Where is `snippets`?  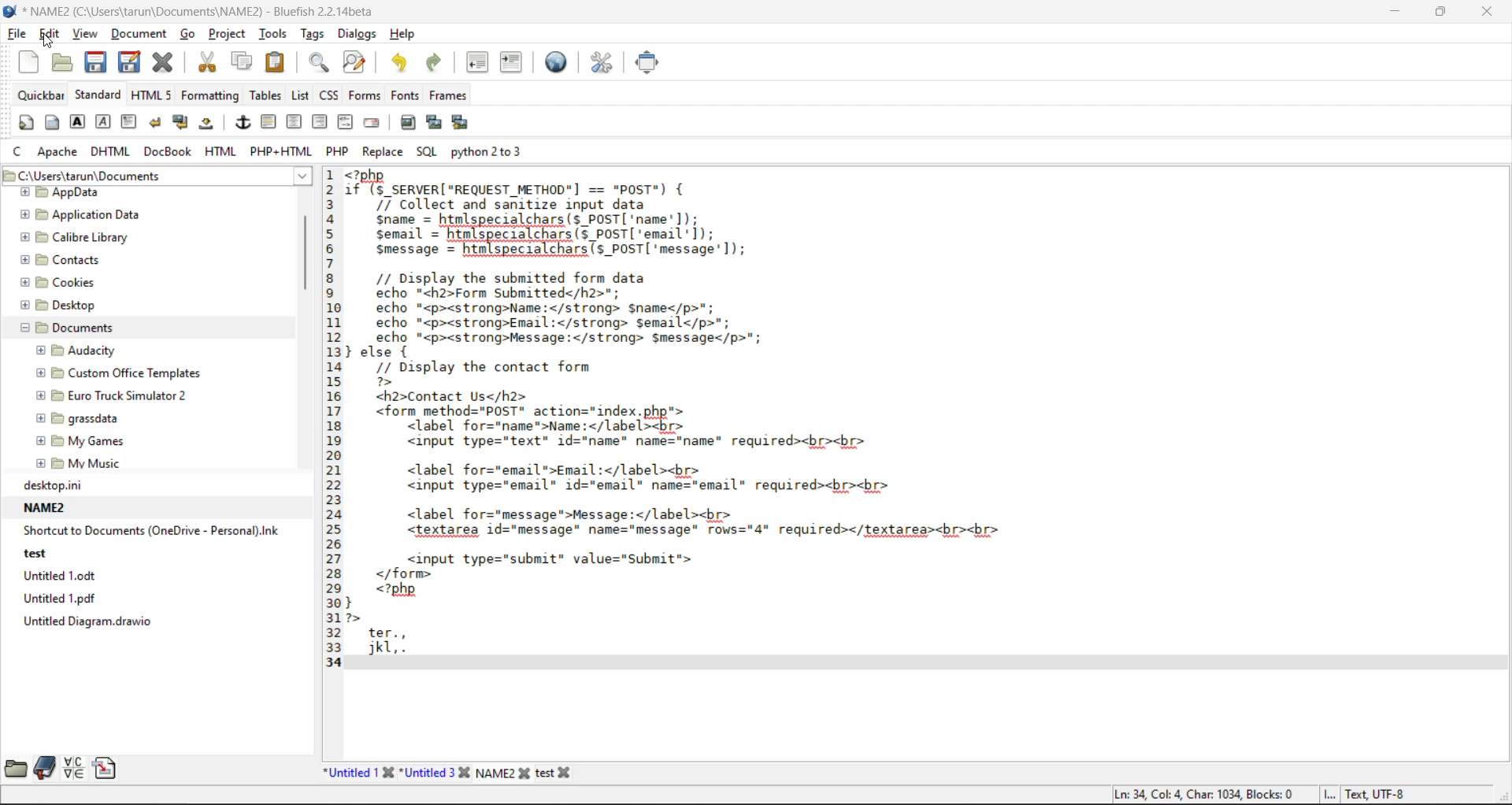
snippets is located at coordinates (104, 770).